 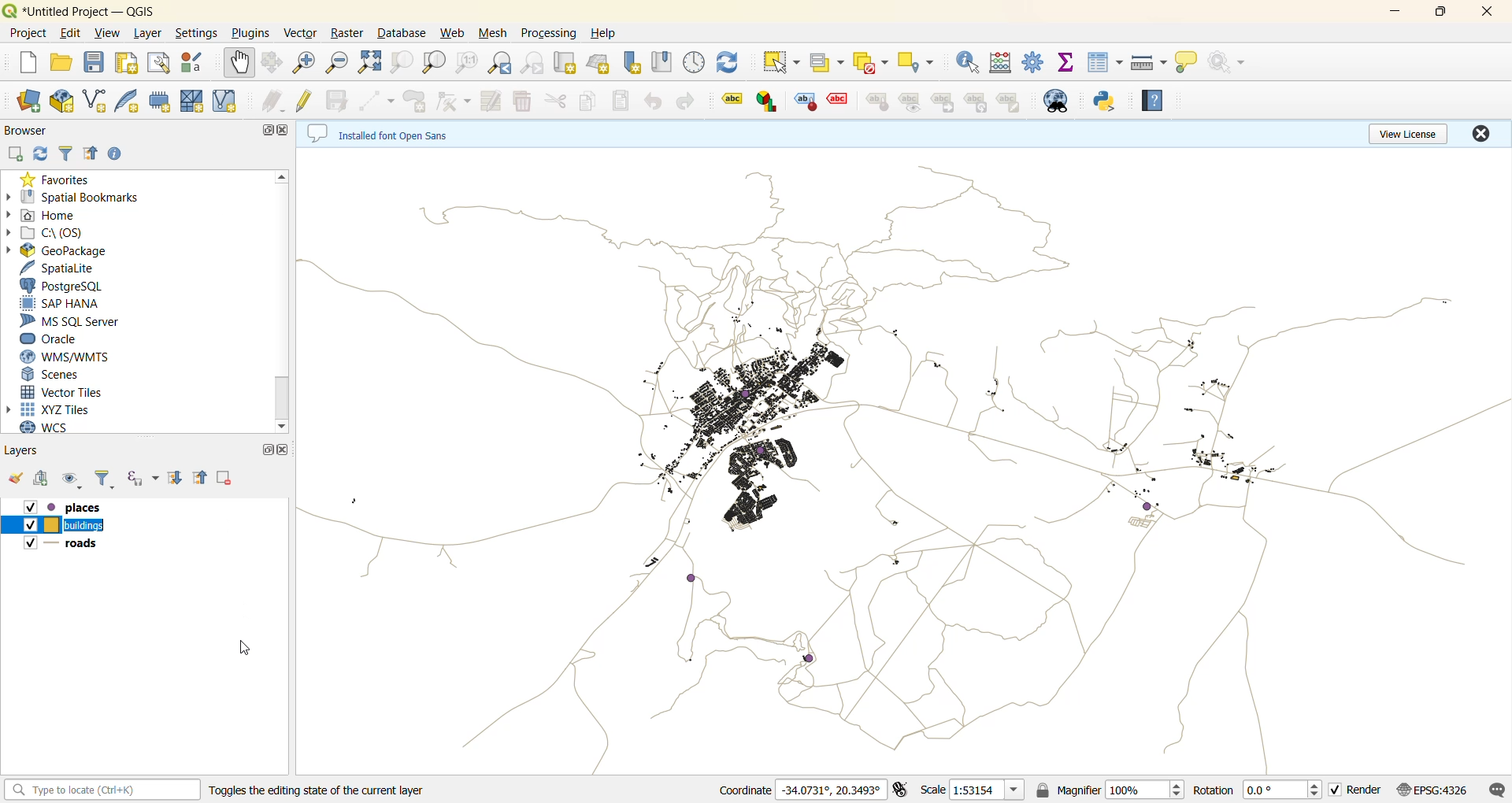 What do you see at coordinates (1393, 13) in the screenshot?
I see `minimzie` at bounding box center [1393, 13].